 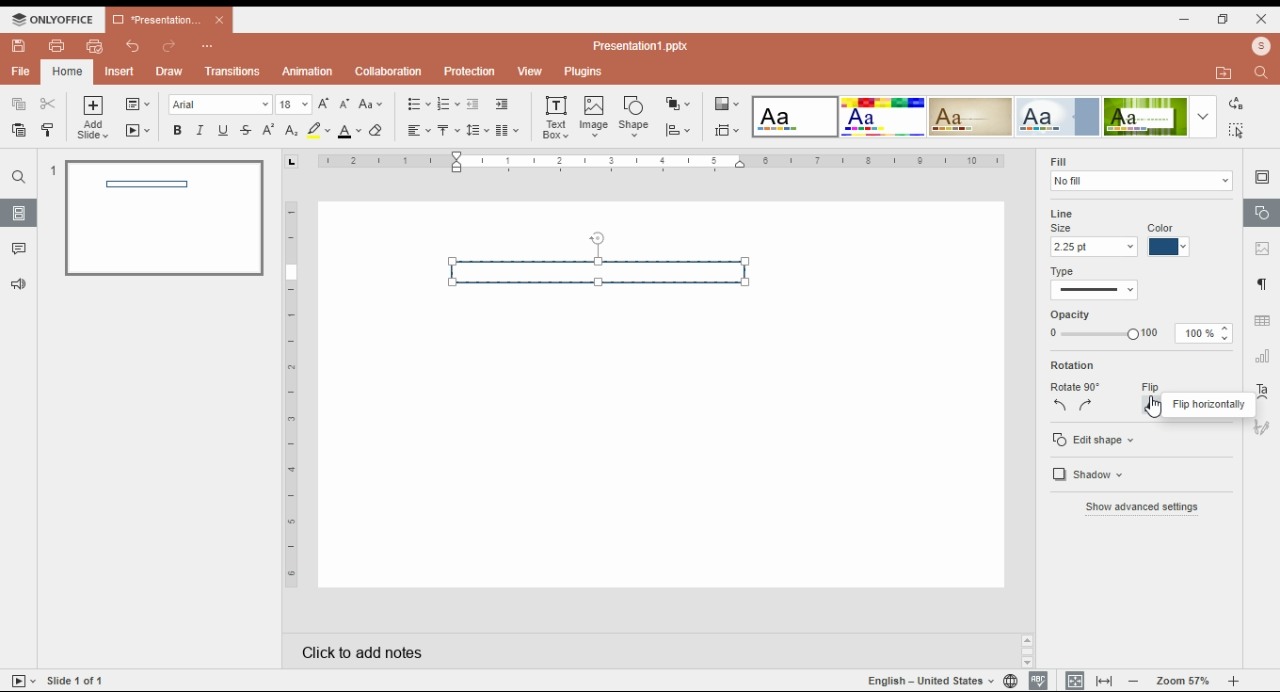 I want to click on add slide, so click(x=93, y=118).